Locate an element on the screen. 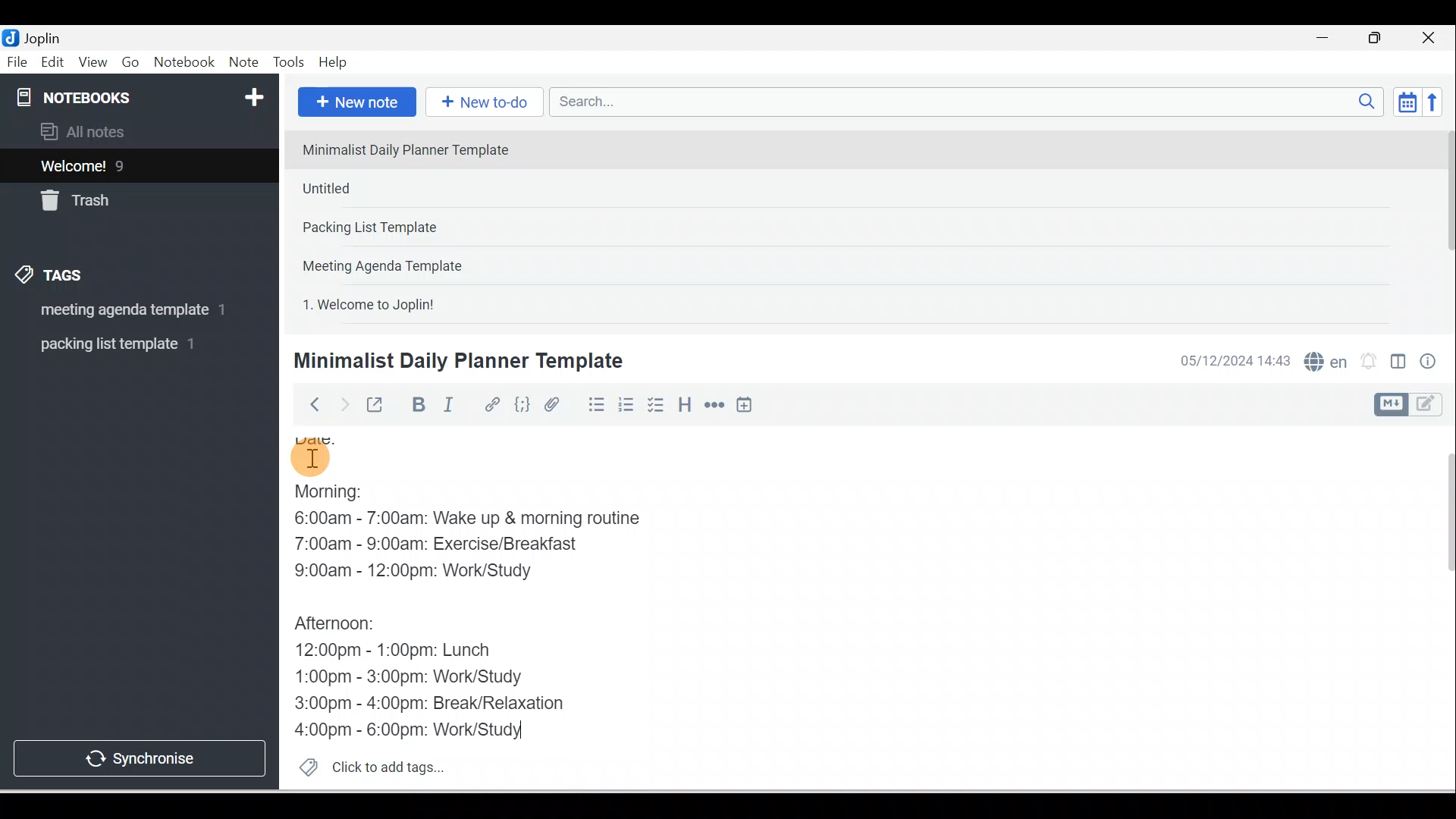  Maximise is located at coordinates (1380, 39).